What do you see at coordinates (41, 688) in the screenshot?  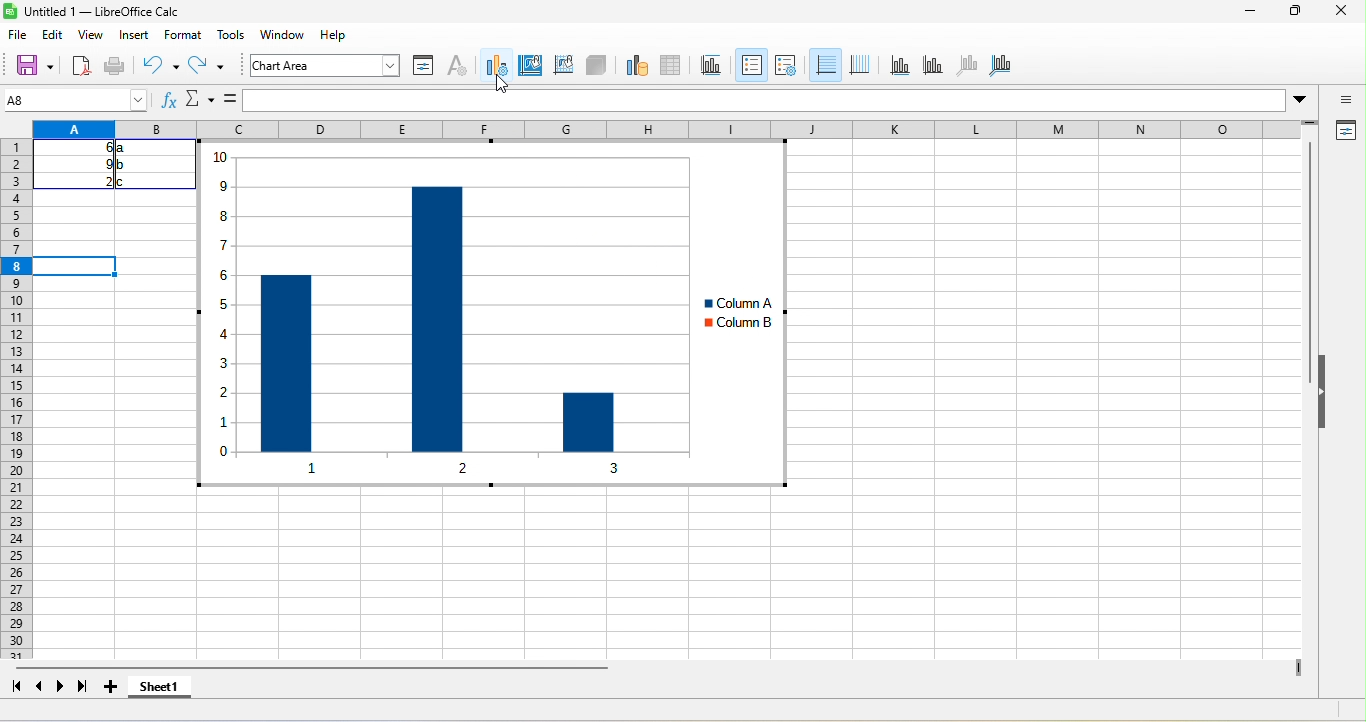 I see `previous sheet` at bounding box center [41, 688].